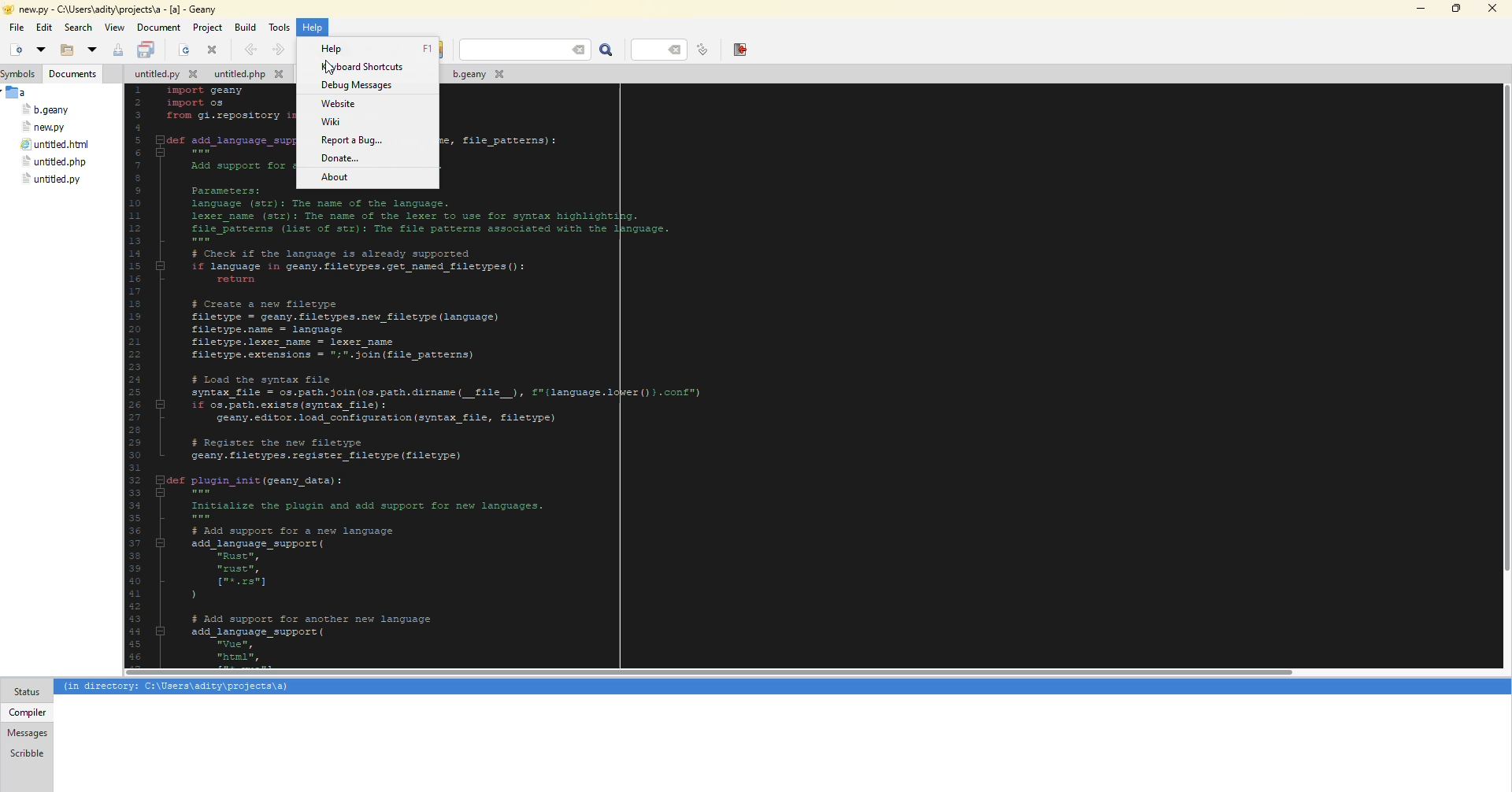 This screenshot has height=792, width=1512. What do you see at coordinates (313, 27) in the screenshot?
I see `help` at bounding box center [313, 27].